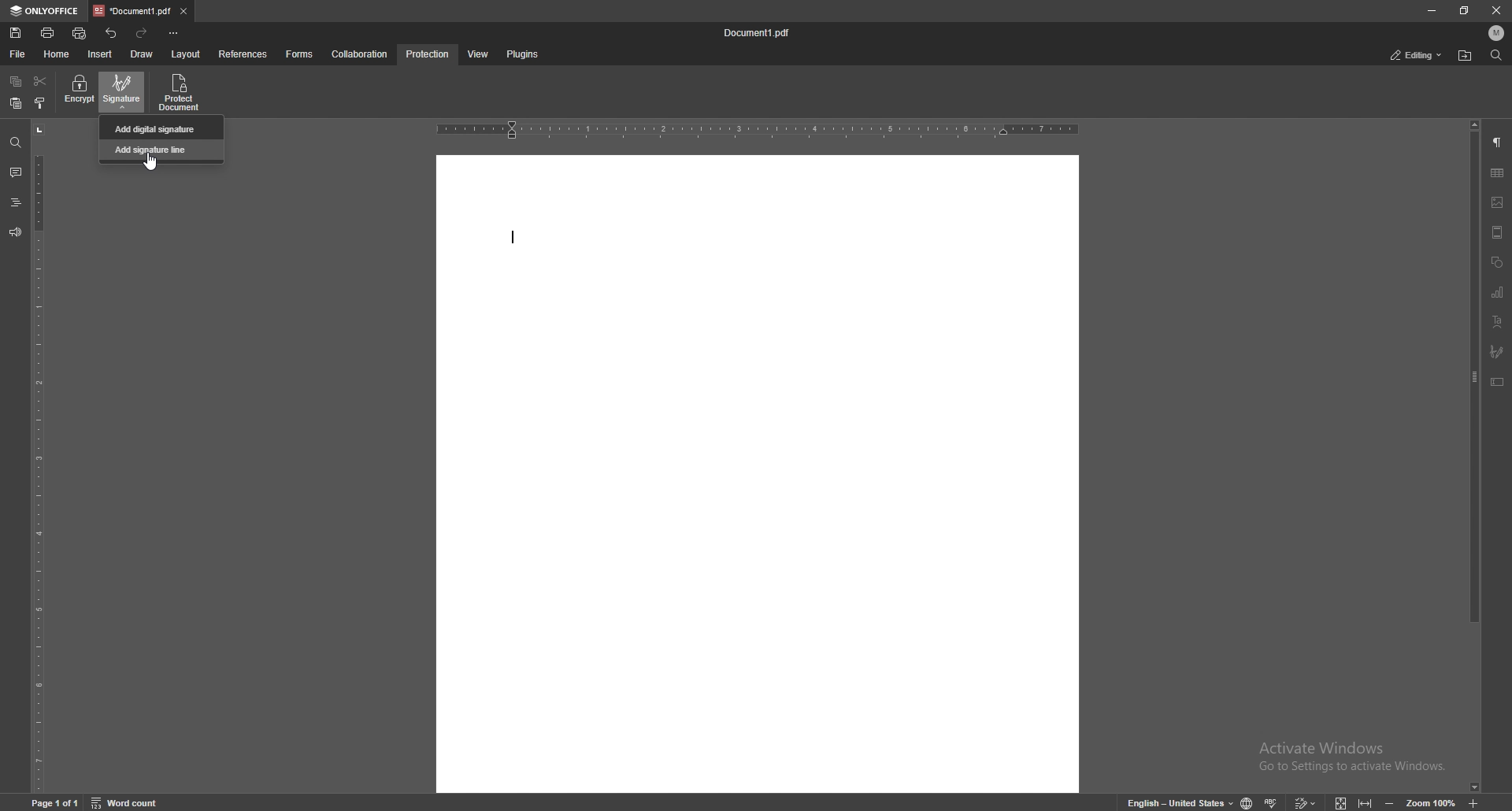 This screenshot has width=1512, height=811. What do you see at coordinates (1340, 751) in the screenshot?
I see `Activate windows` at bounding box center [1340, 751].